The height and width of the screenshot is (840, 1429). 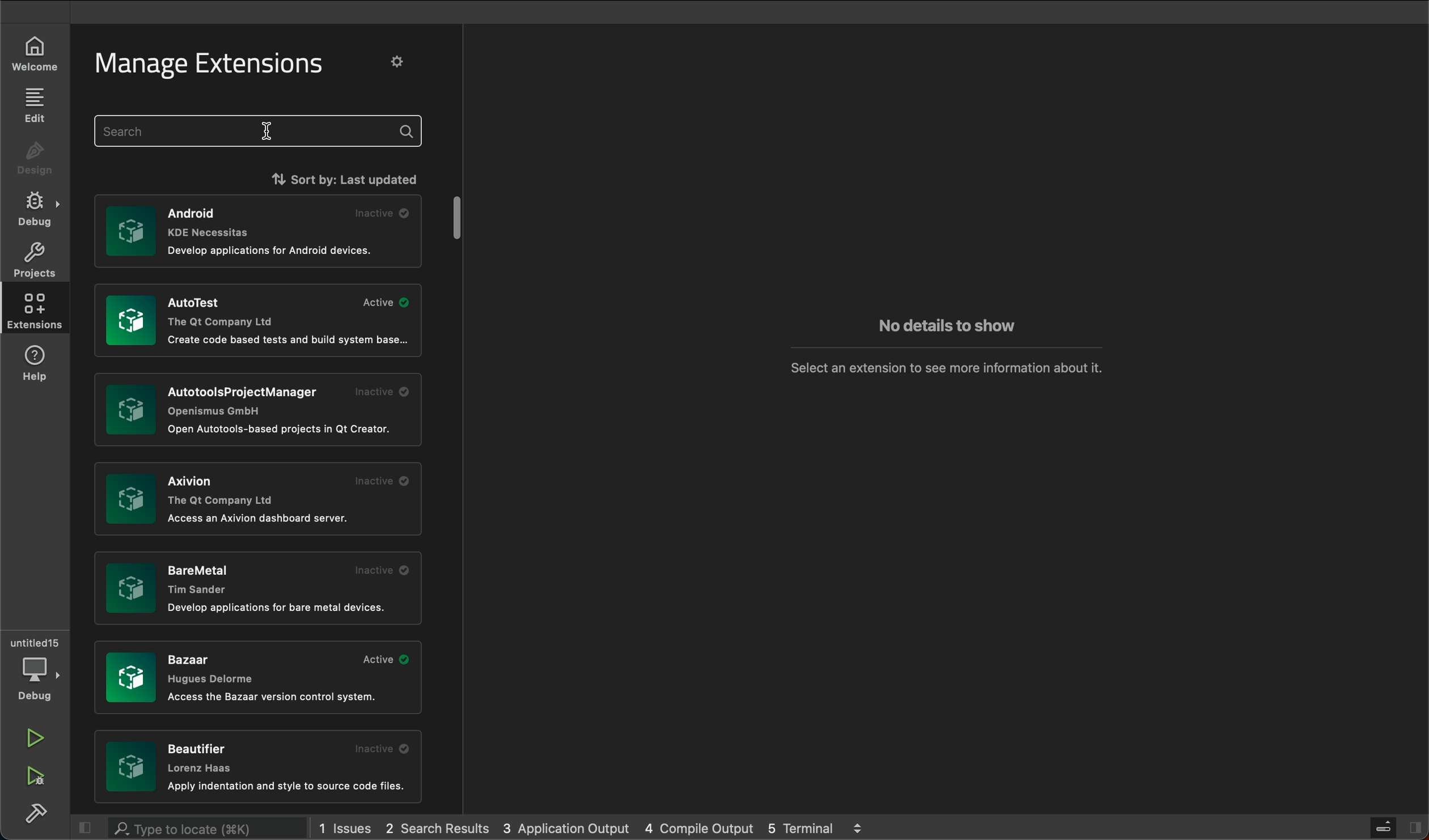 What do you see at coordinates (130, 320) in the screenshot?
I see `image` at bounding box center [130, 320].